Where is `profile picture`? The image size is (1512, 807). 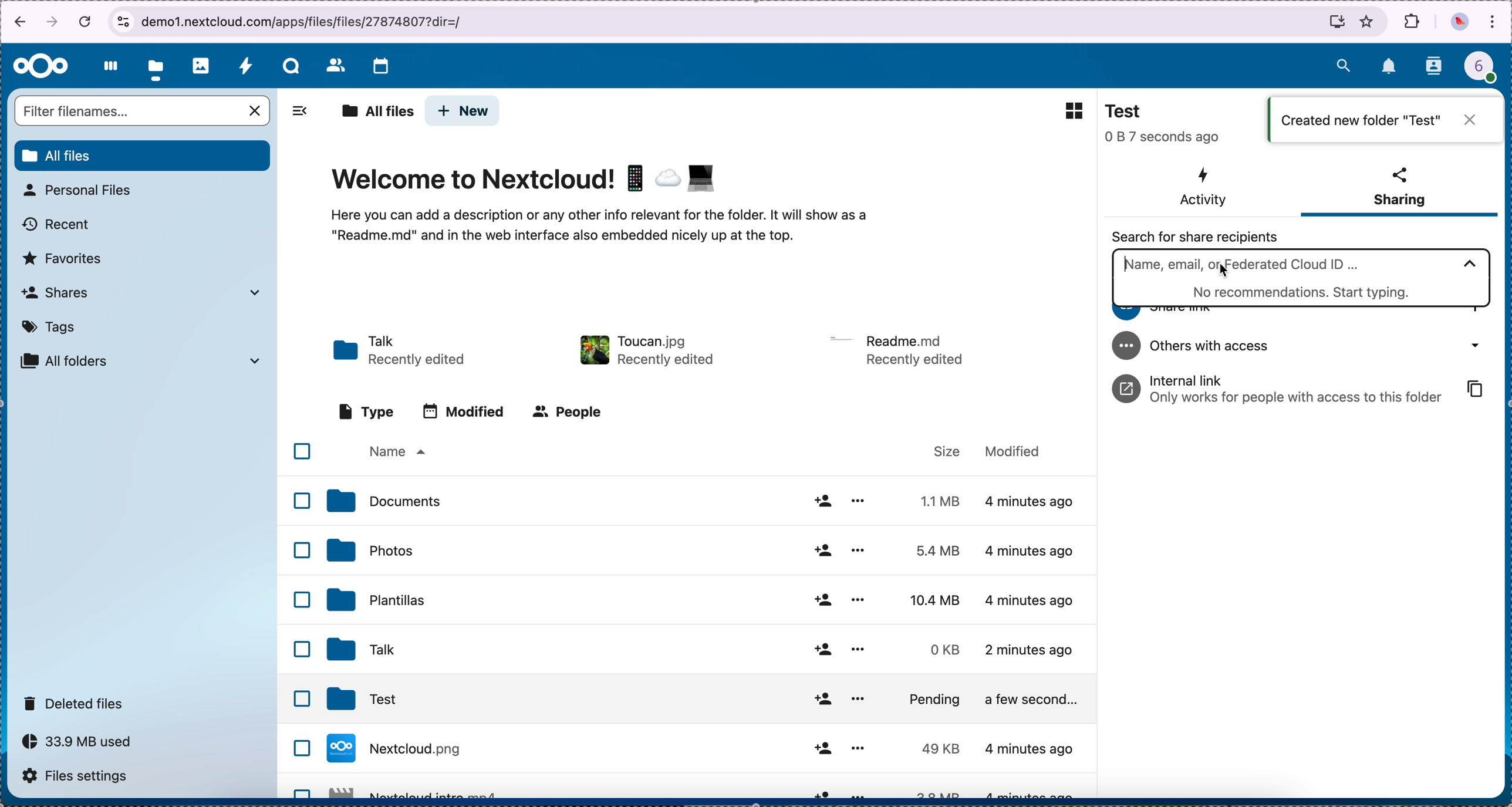
profile picture is located at coordinates (1460, 23).